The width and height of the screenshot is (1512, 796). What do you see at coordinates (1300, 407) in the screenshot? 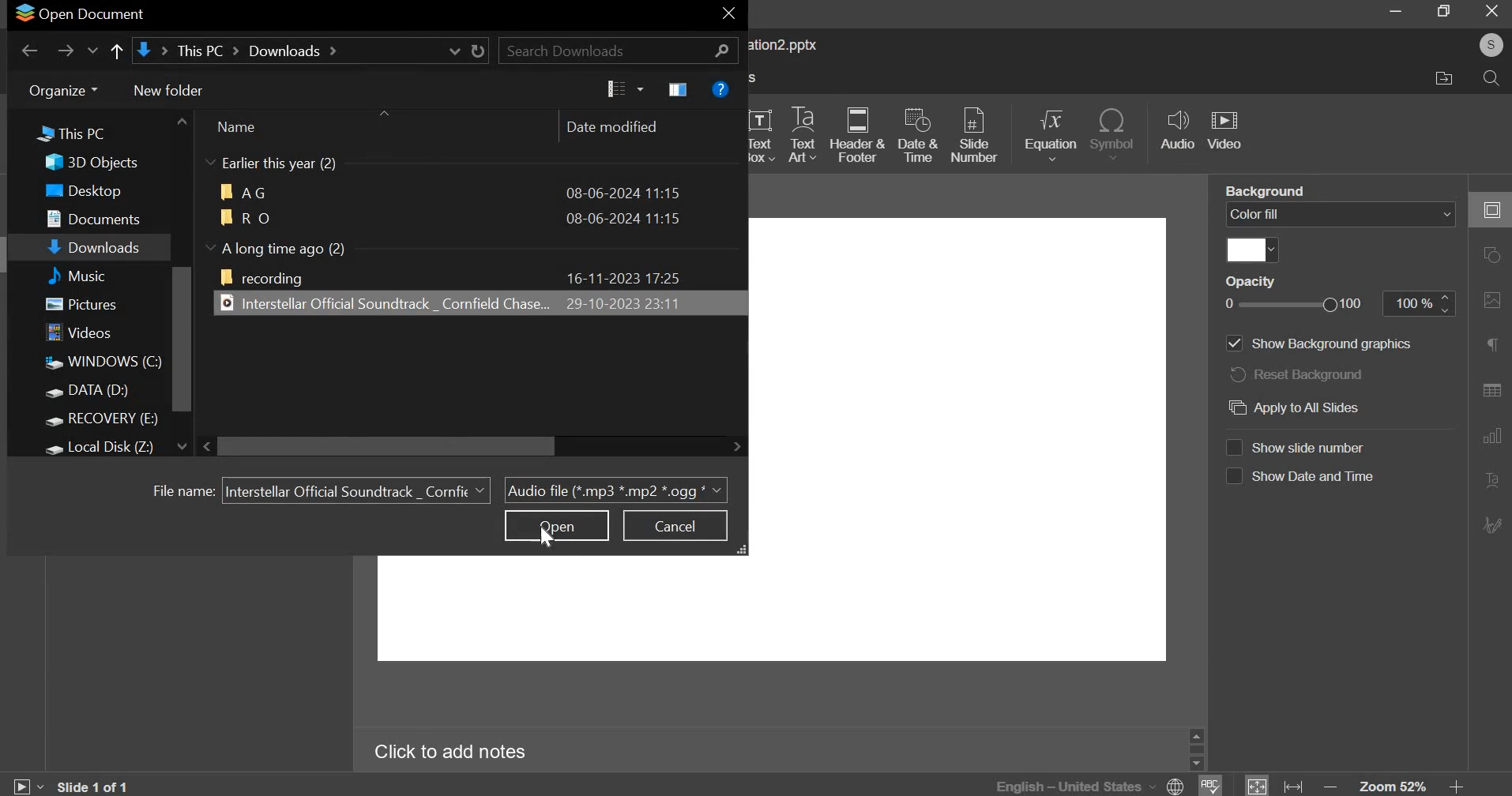
I see `apply to all slides` at bounding box center [1300, 407].